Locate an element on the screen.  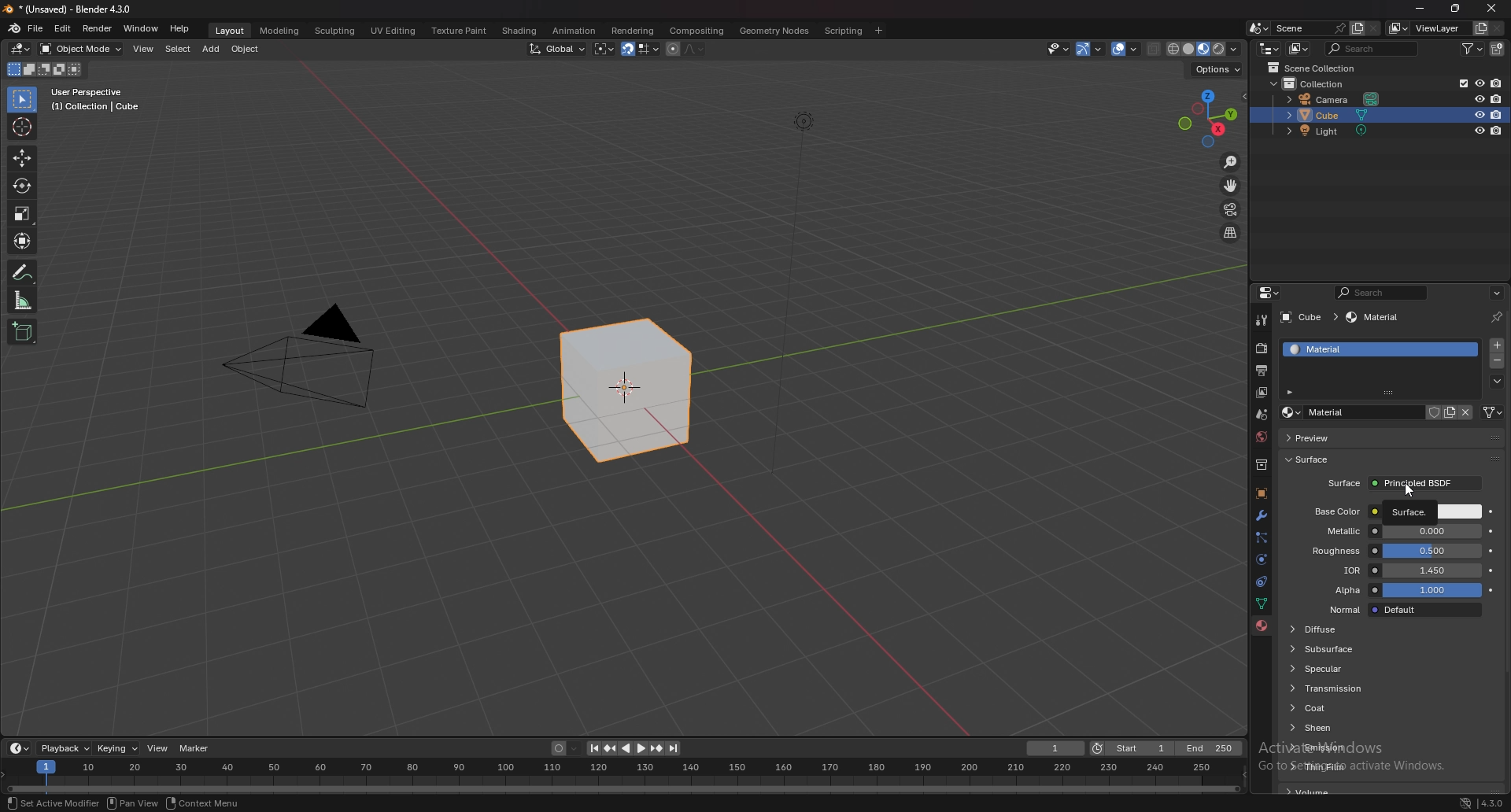
animate property is located at coordinates (1490, 570).